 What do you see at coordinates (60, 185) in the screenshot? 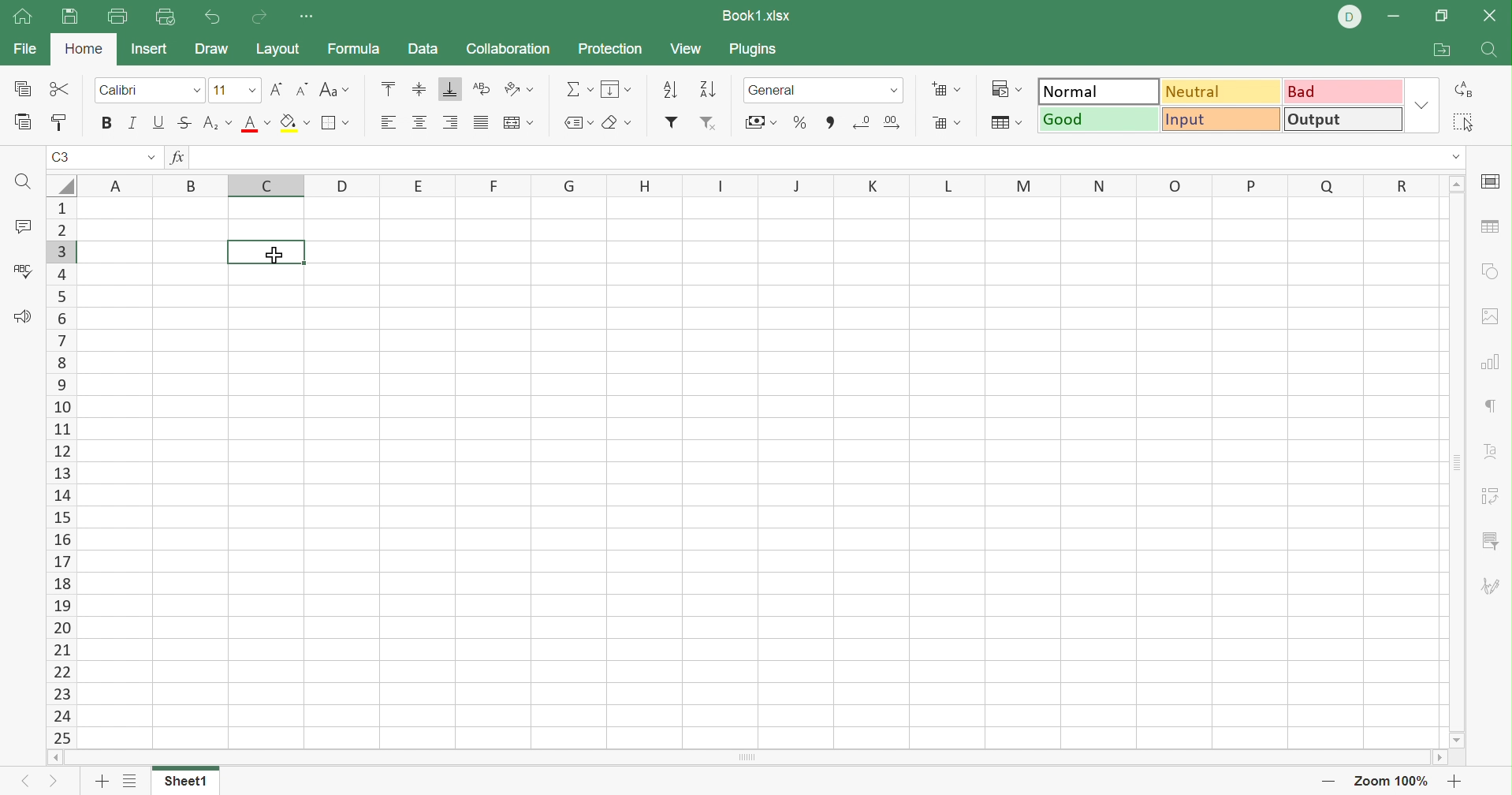
I see `select all cells` at bounding box center [60, 185].